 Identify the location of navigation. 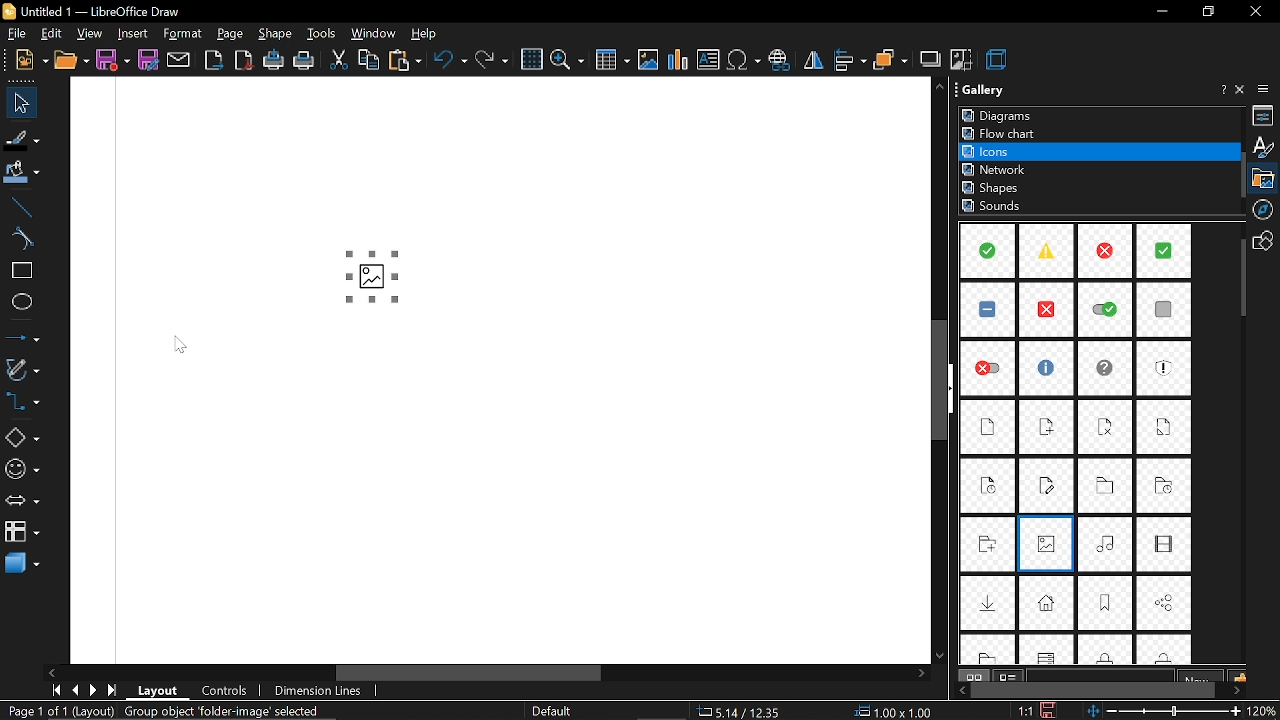
(1266, 209).